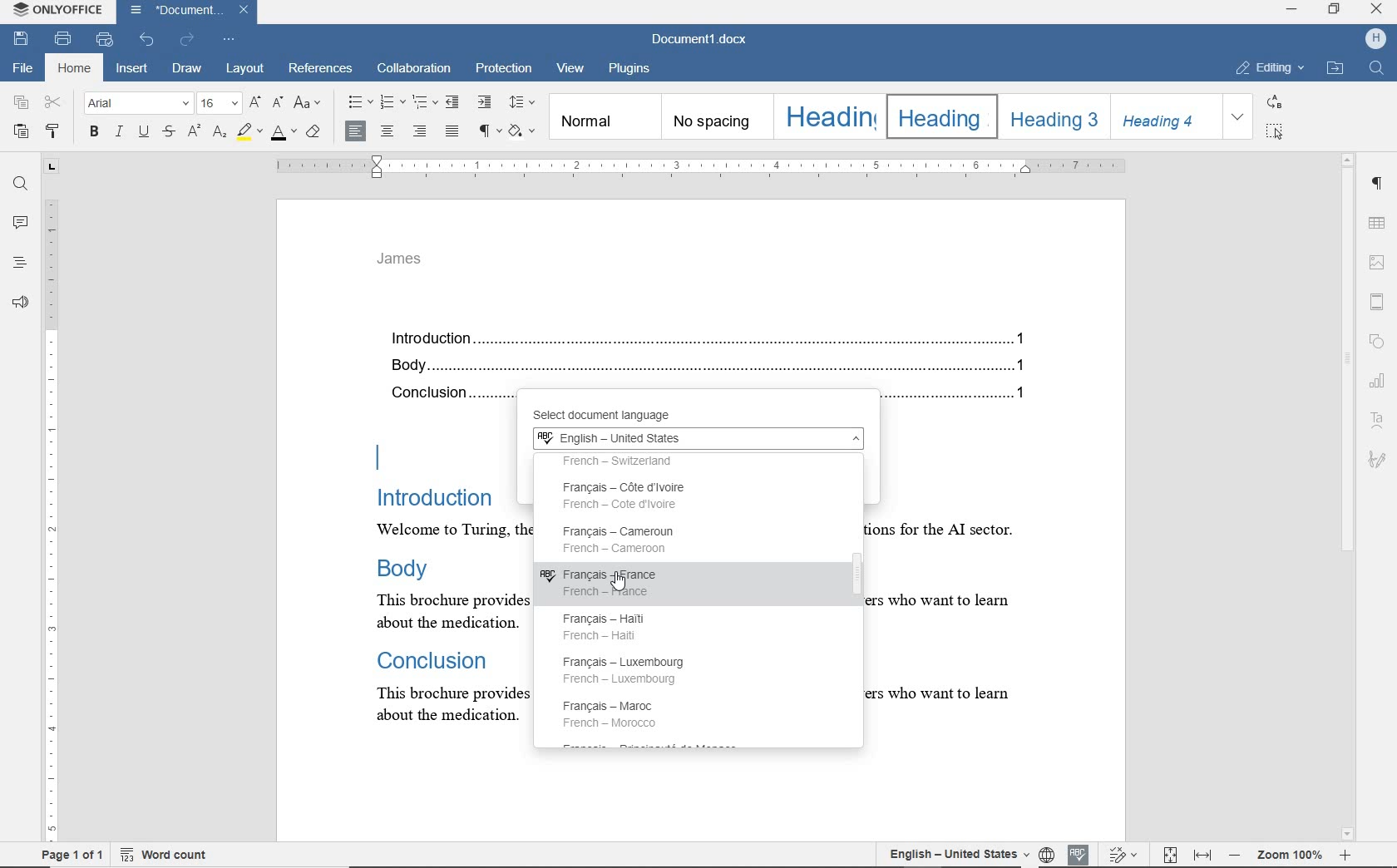 The height and width of the screenshot is (868, 1397). I want to click on scrollbar, so click(1348, 496).